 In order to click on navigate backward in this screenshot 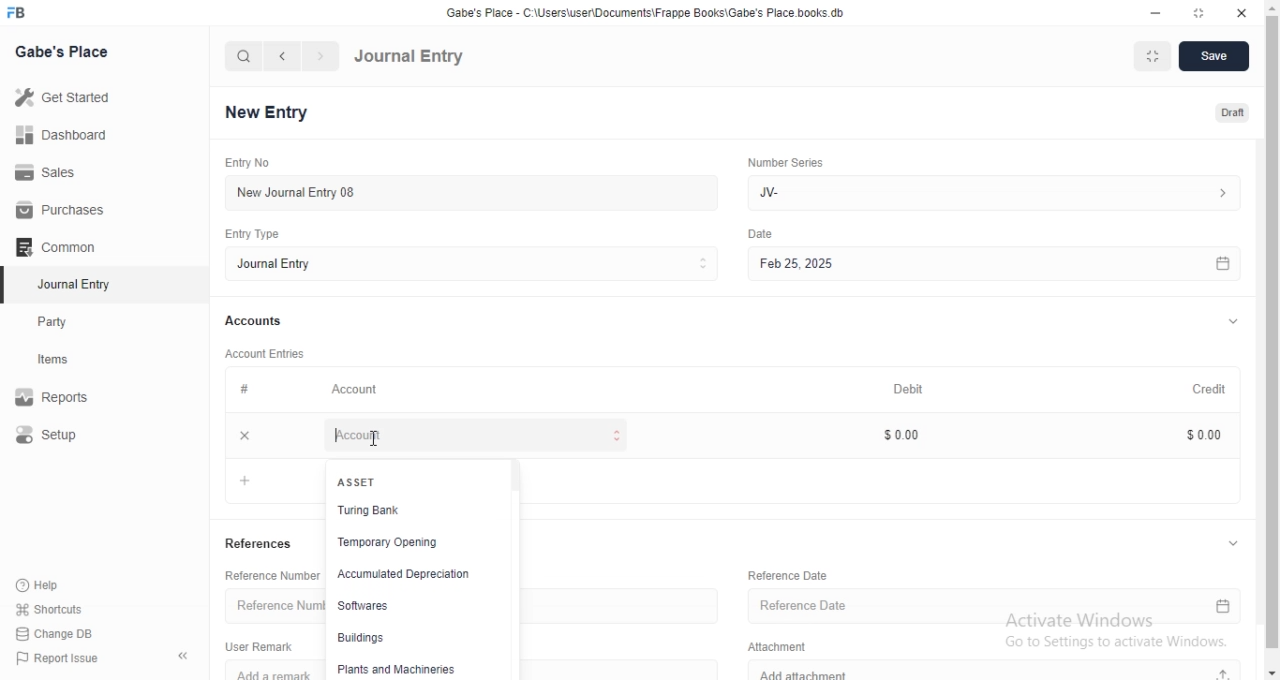, I will do `click(285, 56)`.